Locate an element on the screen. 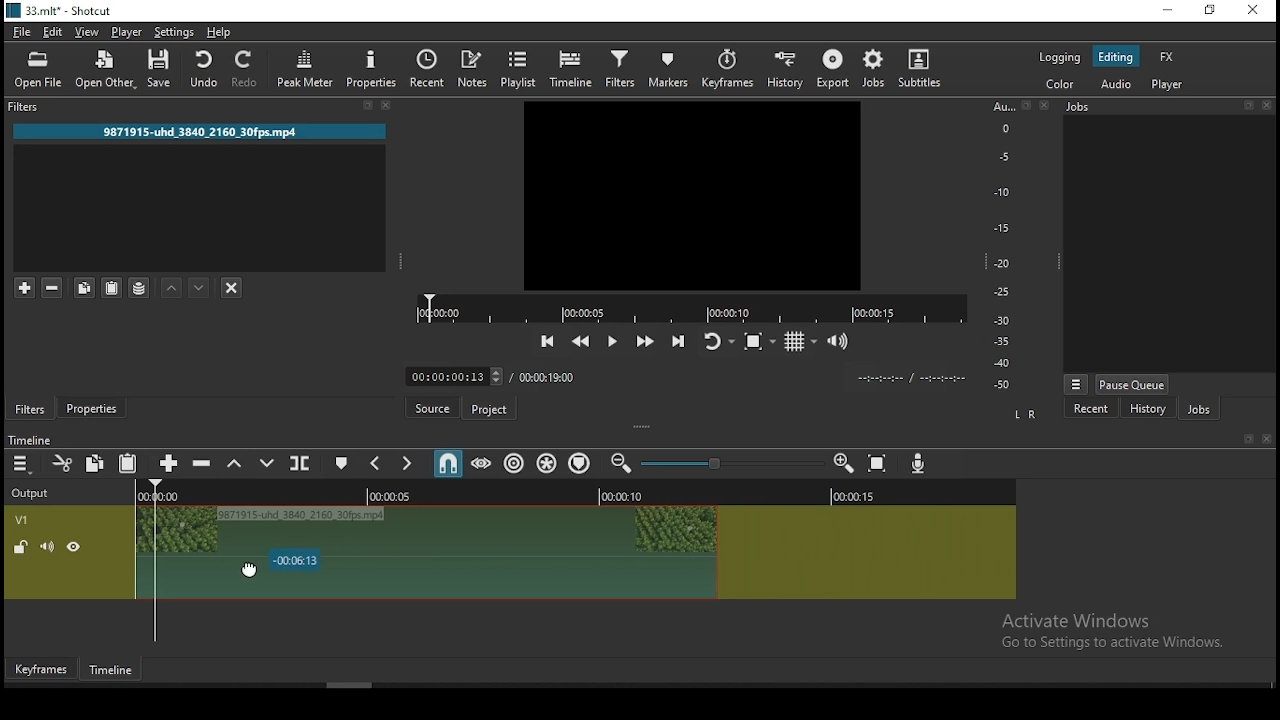 This screenshot has width=1280, height=720. zoom timeline out is located at coordinates (618, 464).